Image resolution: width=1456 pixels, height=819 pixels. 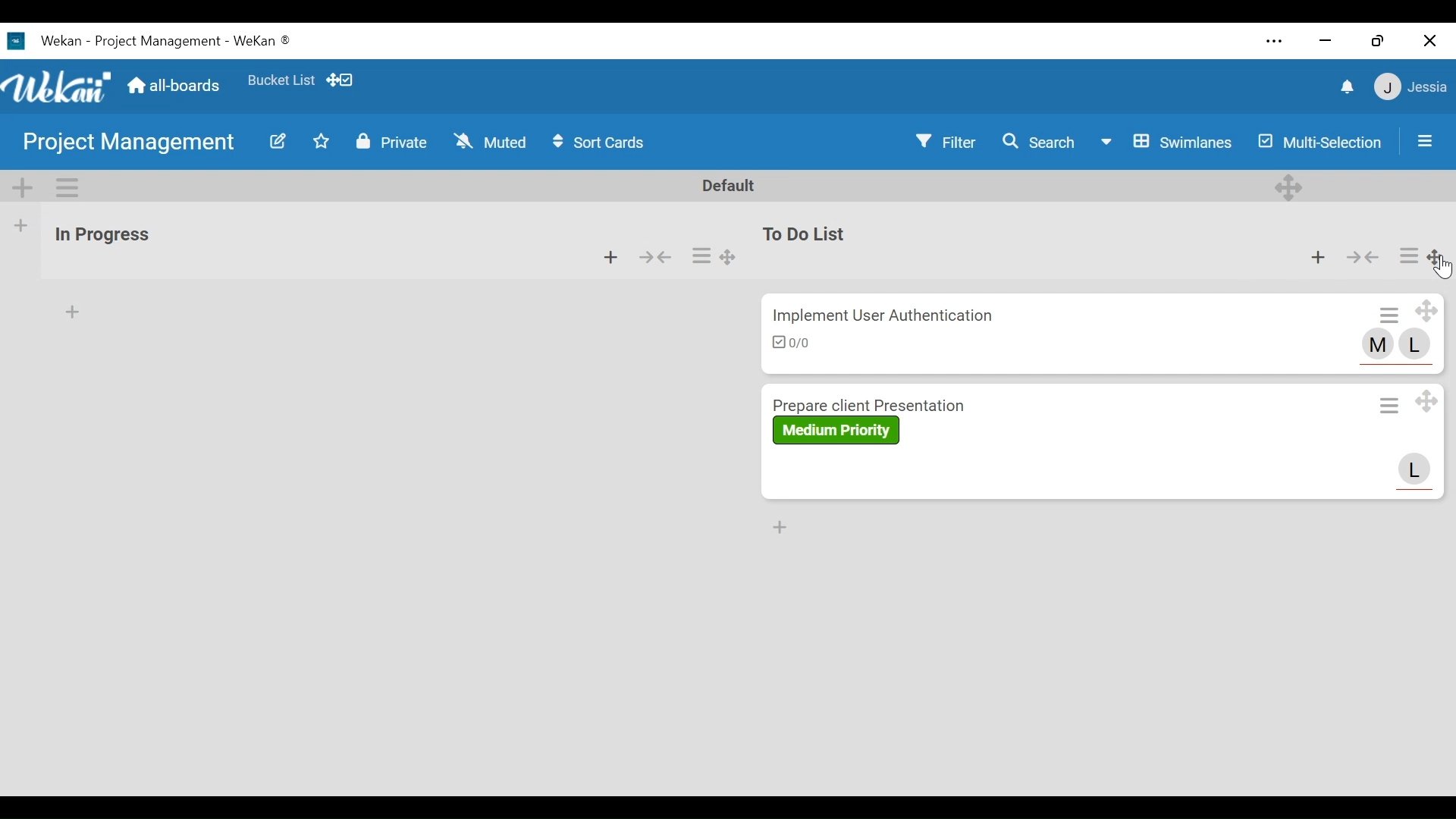 I want to click on Add card bottom of the list, so click(x=777, y=529).